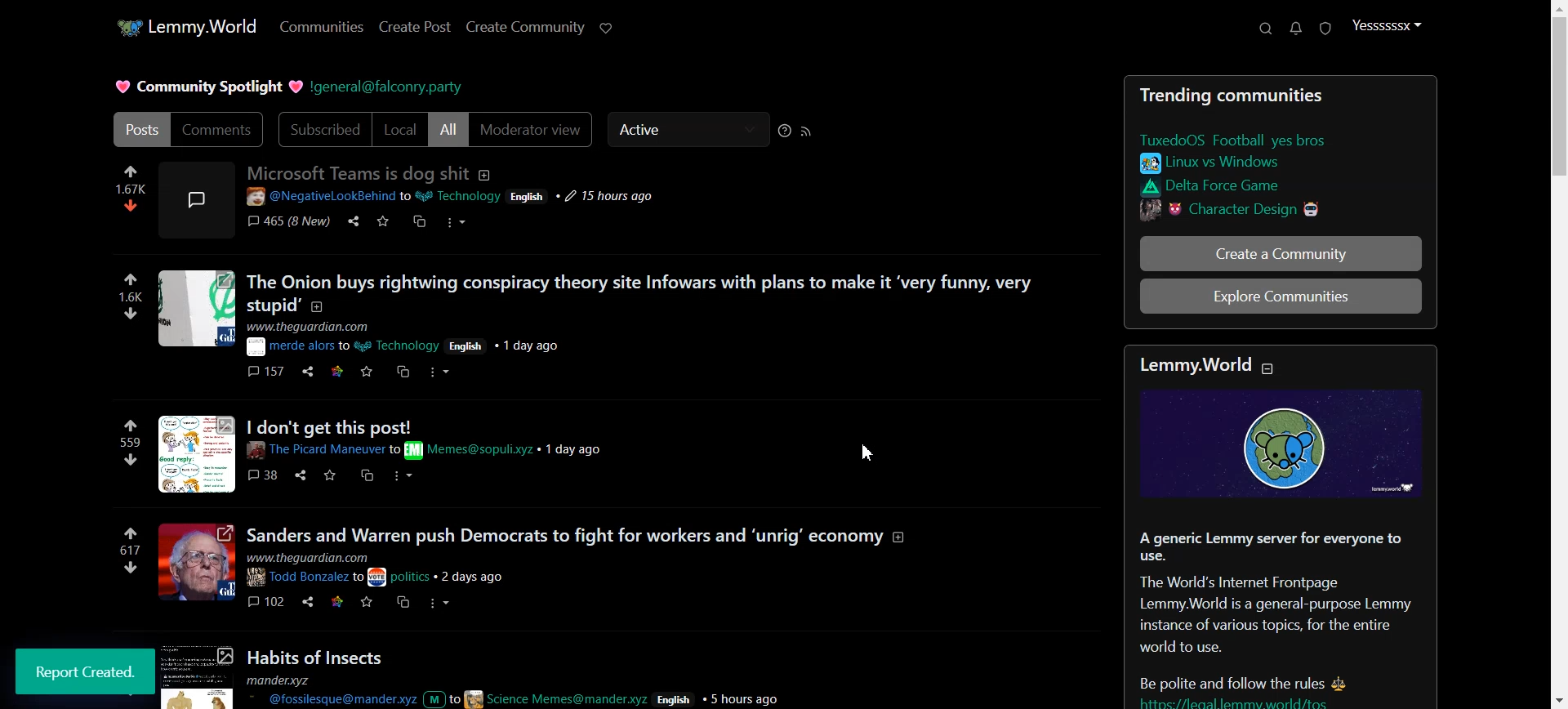 This screenshot has height=709, width=1568. What do you see at coordinates (308, 373) in the screenshot?
I see `share` at bounding box center [308, 373].